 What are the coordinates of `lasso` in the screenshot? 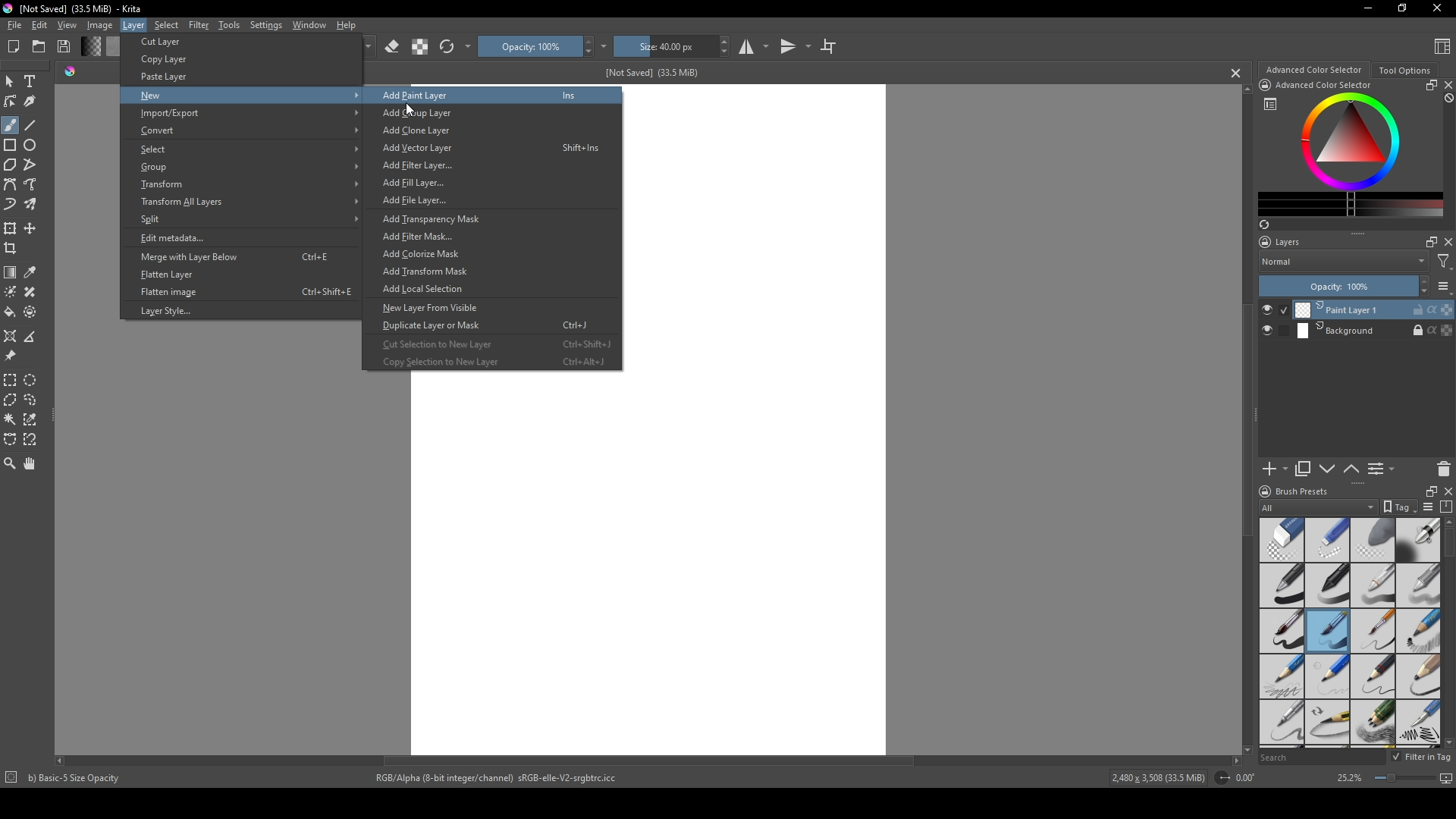 It's located at (32, 400).